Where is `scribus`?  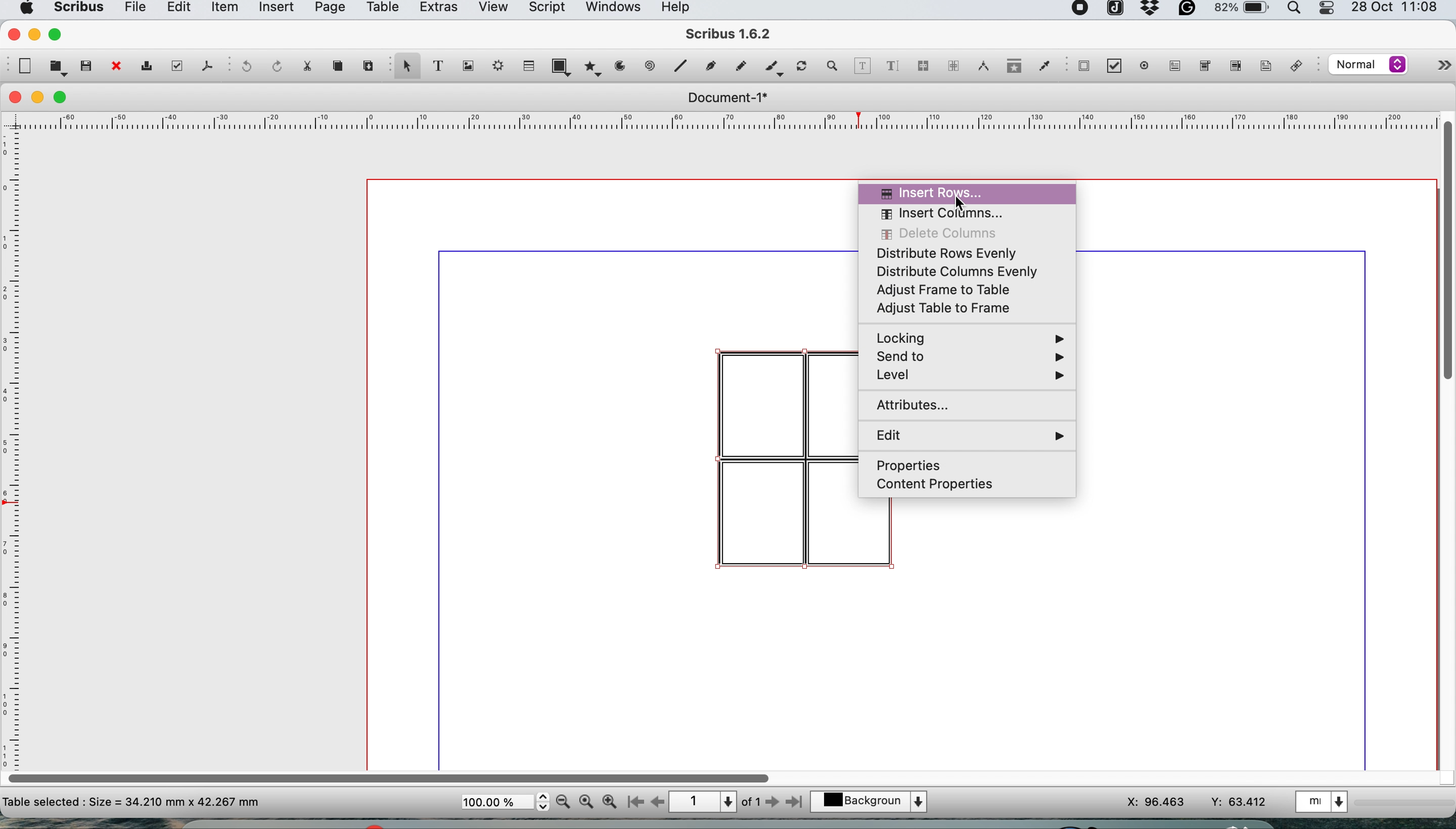 scribus is located at coordinates (77, 9).